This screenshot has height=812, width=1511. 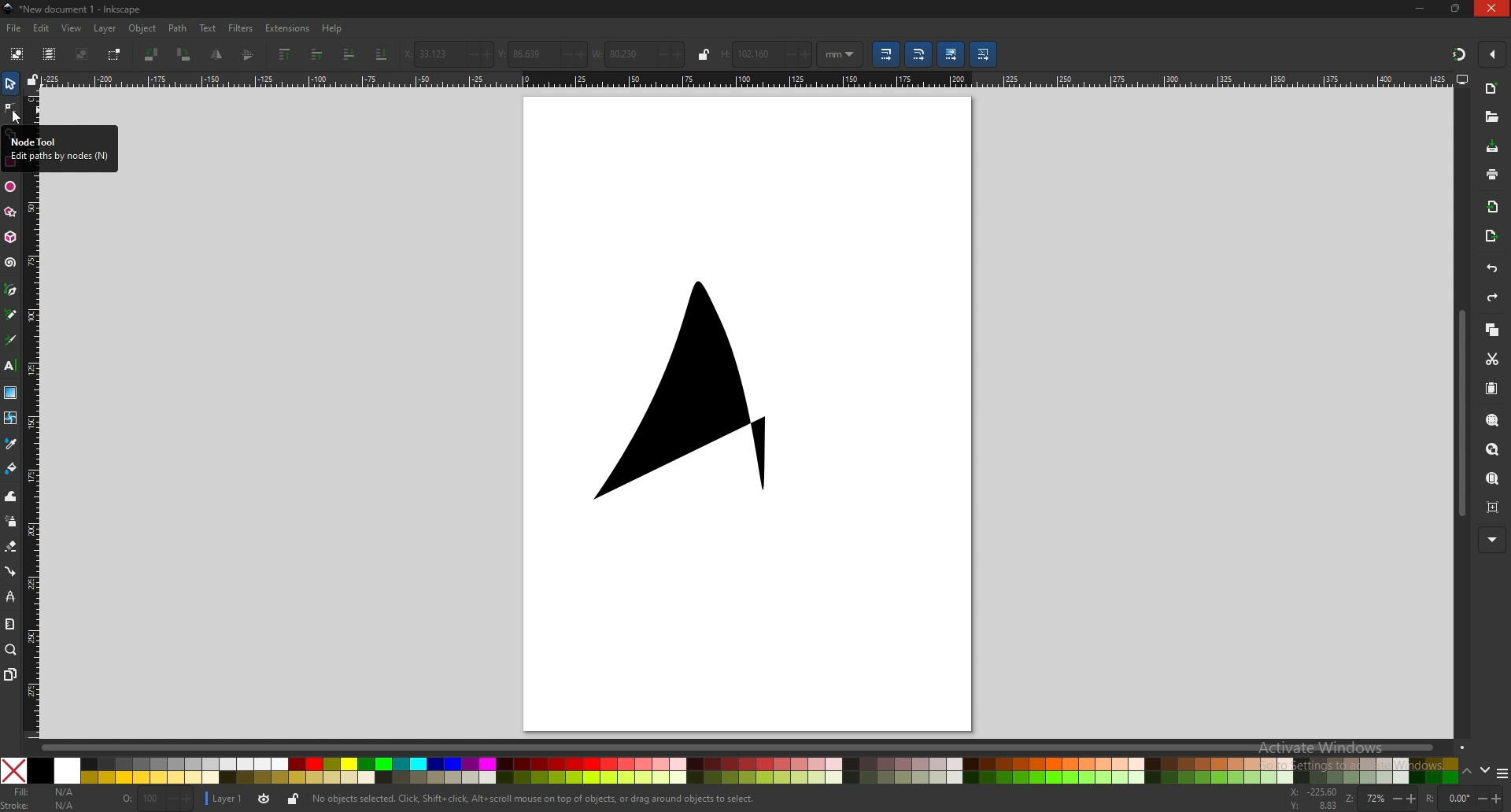 What do you see at coordinates (12, 238) in the screenshot?
I see `3d box` at bounding box center [12, 238].